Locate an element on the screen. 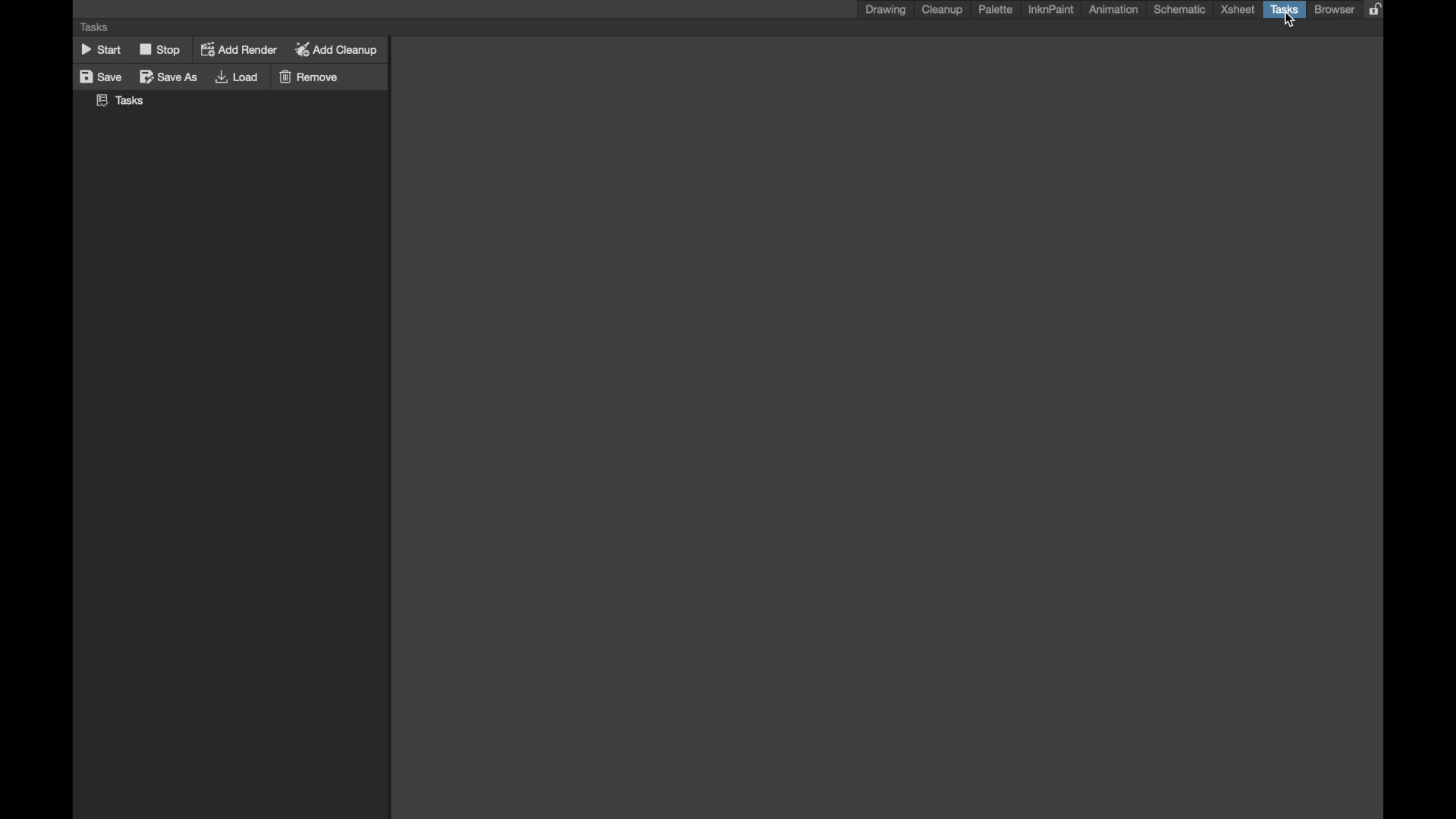  tasks is located at coordinates (123, 101).